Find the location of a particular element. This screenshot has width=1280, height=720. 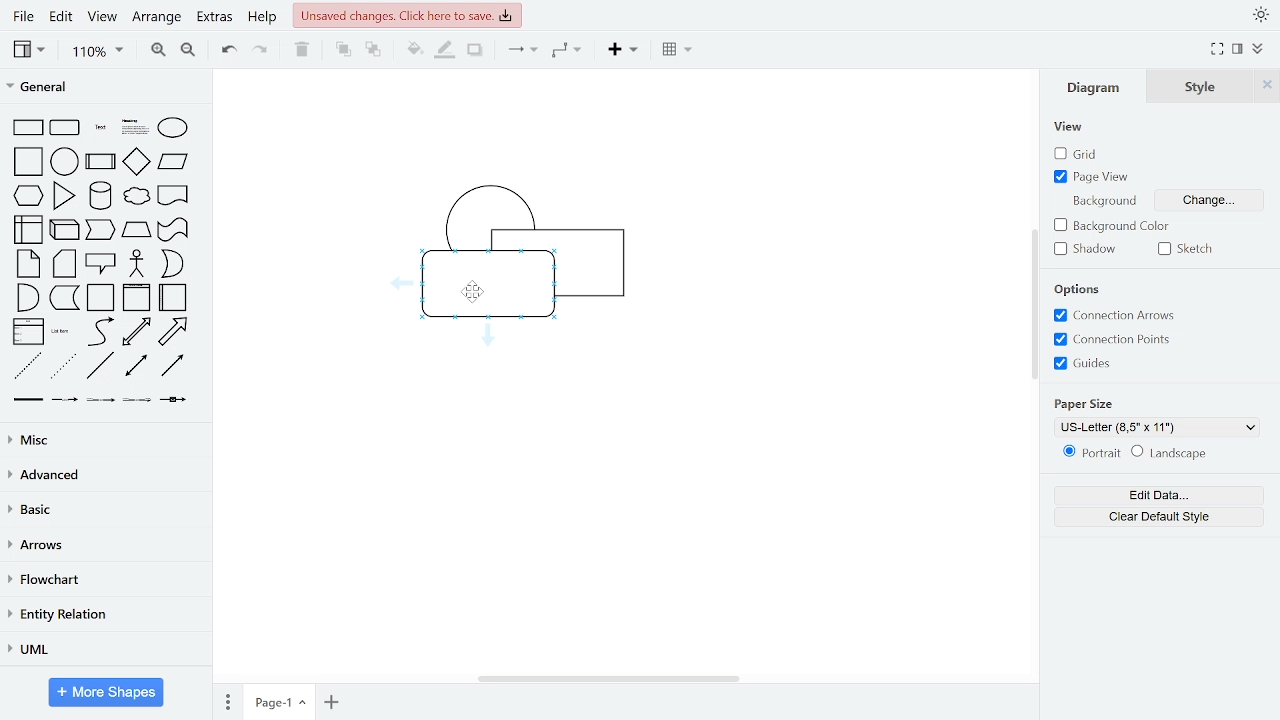

undo is located at coordinates (228, 53).